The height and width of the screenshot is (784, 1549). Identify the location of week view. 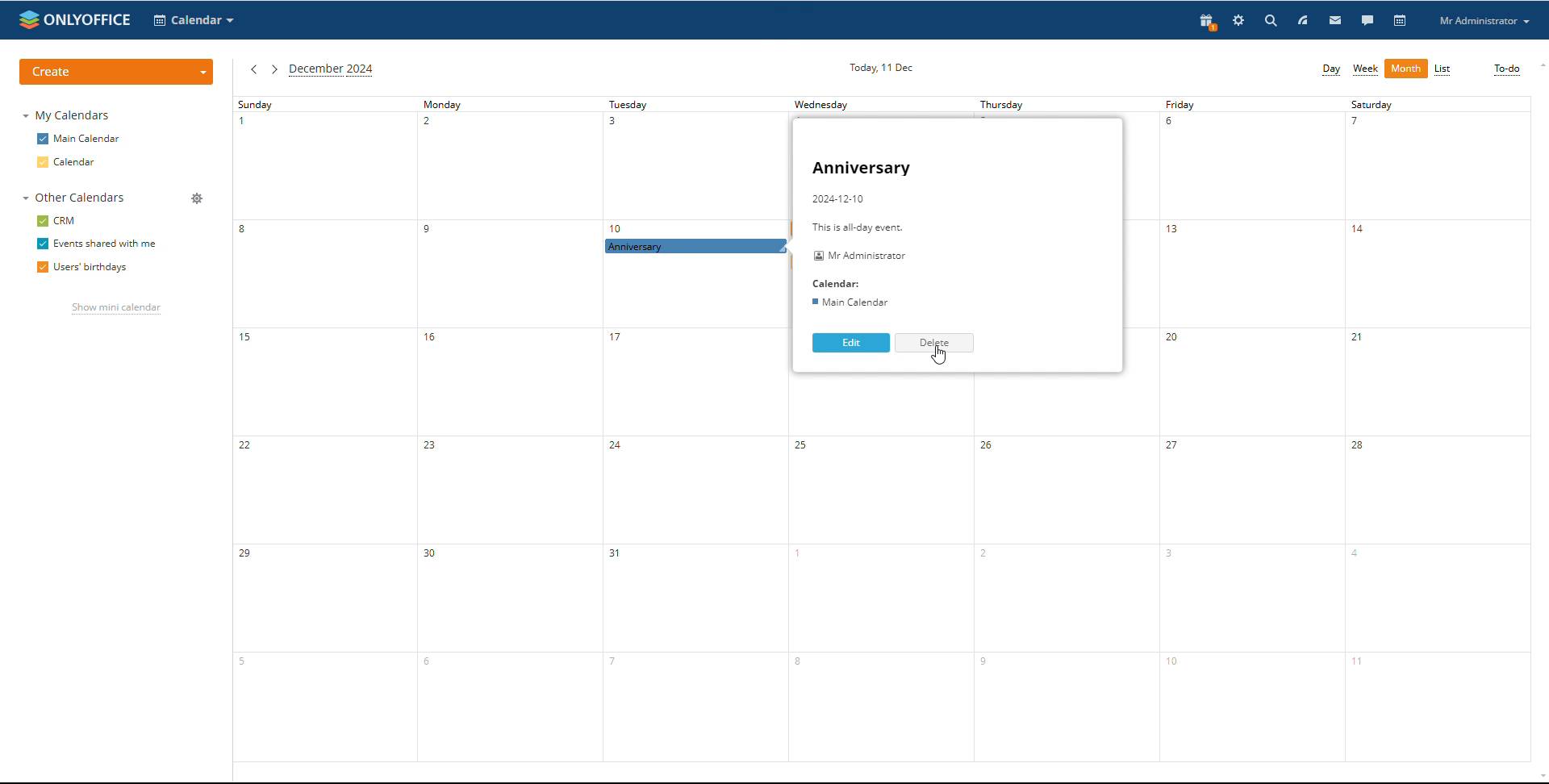
(1366, 70).